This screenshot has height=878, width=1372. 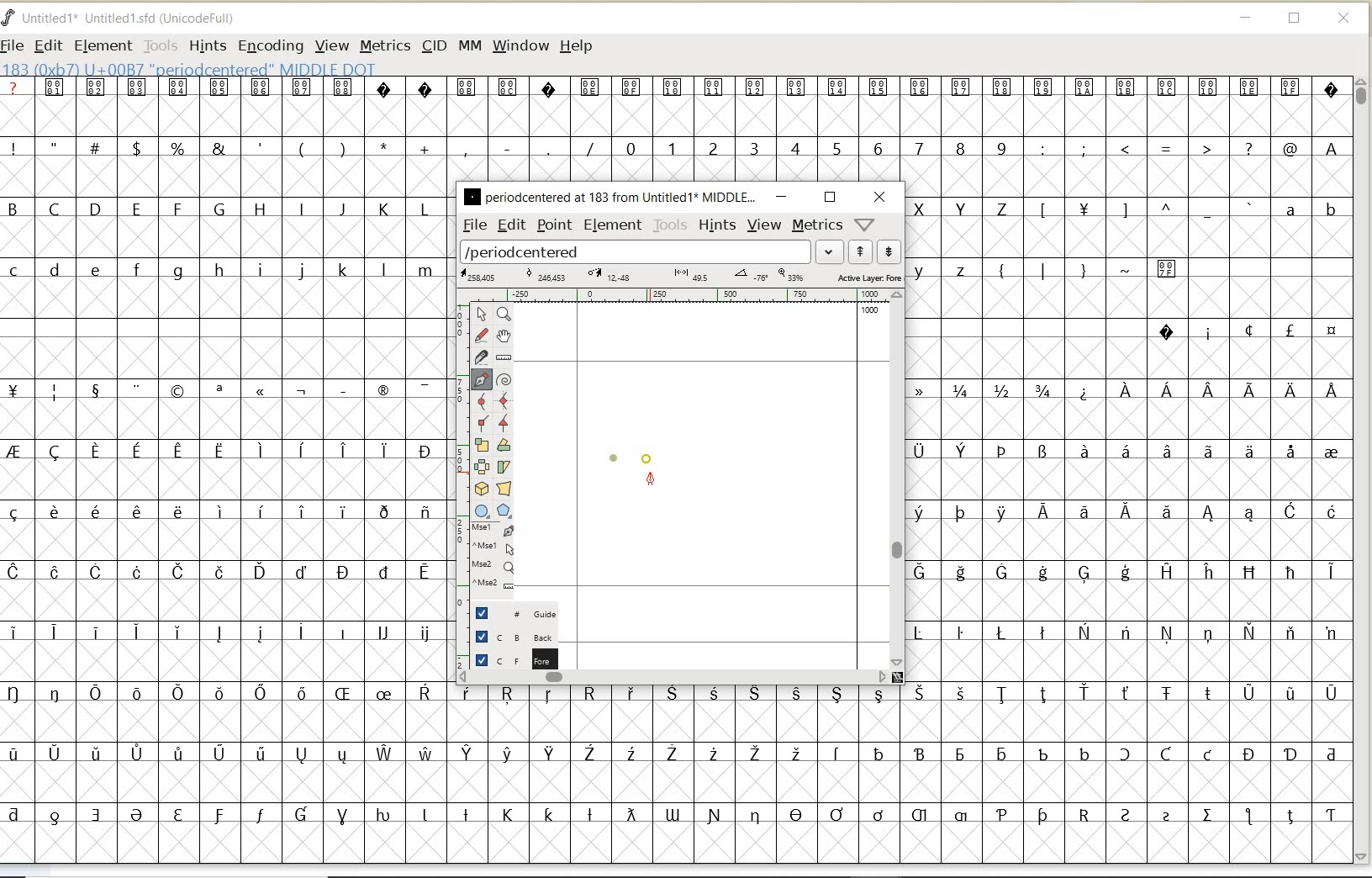 What do you see at coordinates (206, 45) in the screenshot?
I see `HINTS` at bounding box center [206, 45].